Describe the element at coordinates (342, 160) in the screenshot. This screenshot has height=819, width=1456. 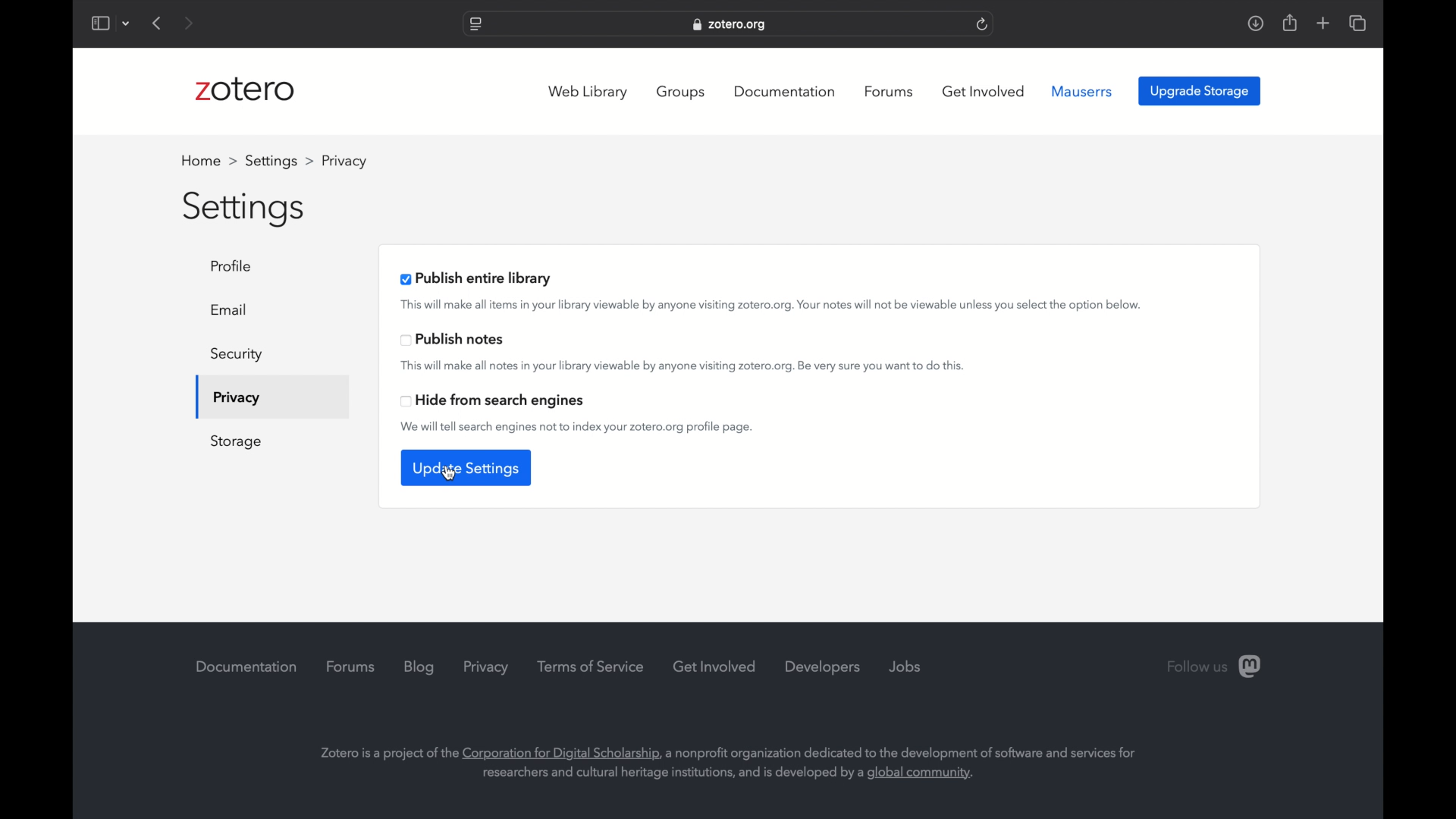
I see `profile` at that location.